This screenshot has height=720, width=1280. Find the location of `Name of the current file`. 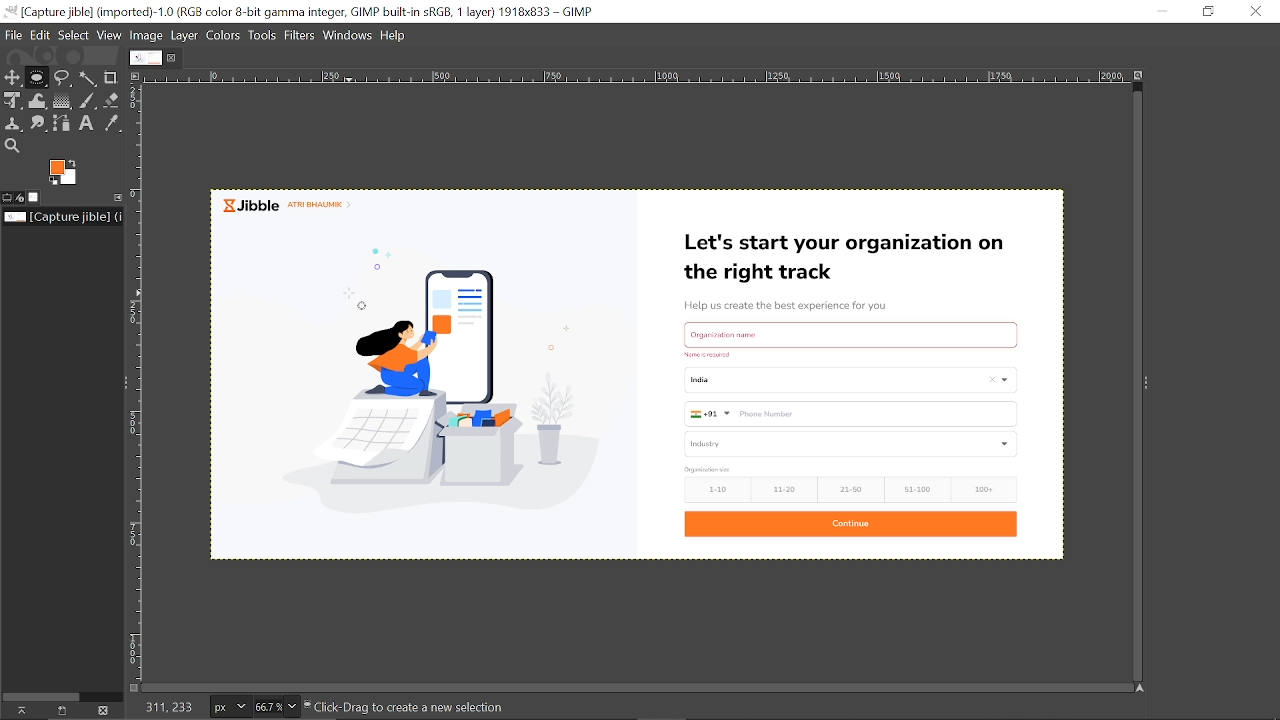

Name of the current file is located at coordinates (64, 217).